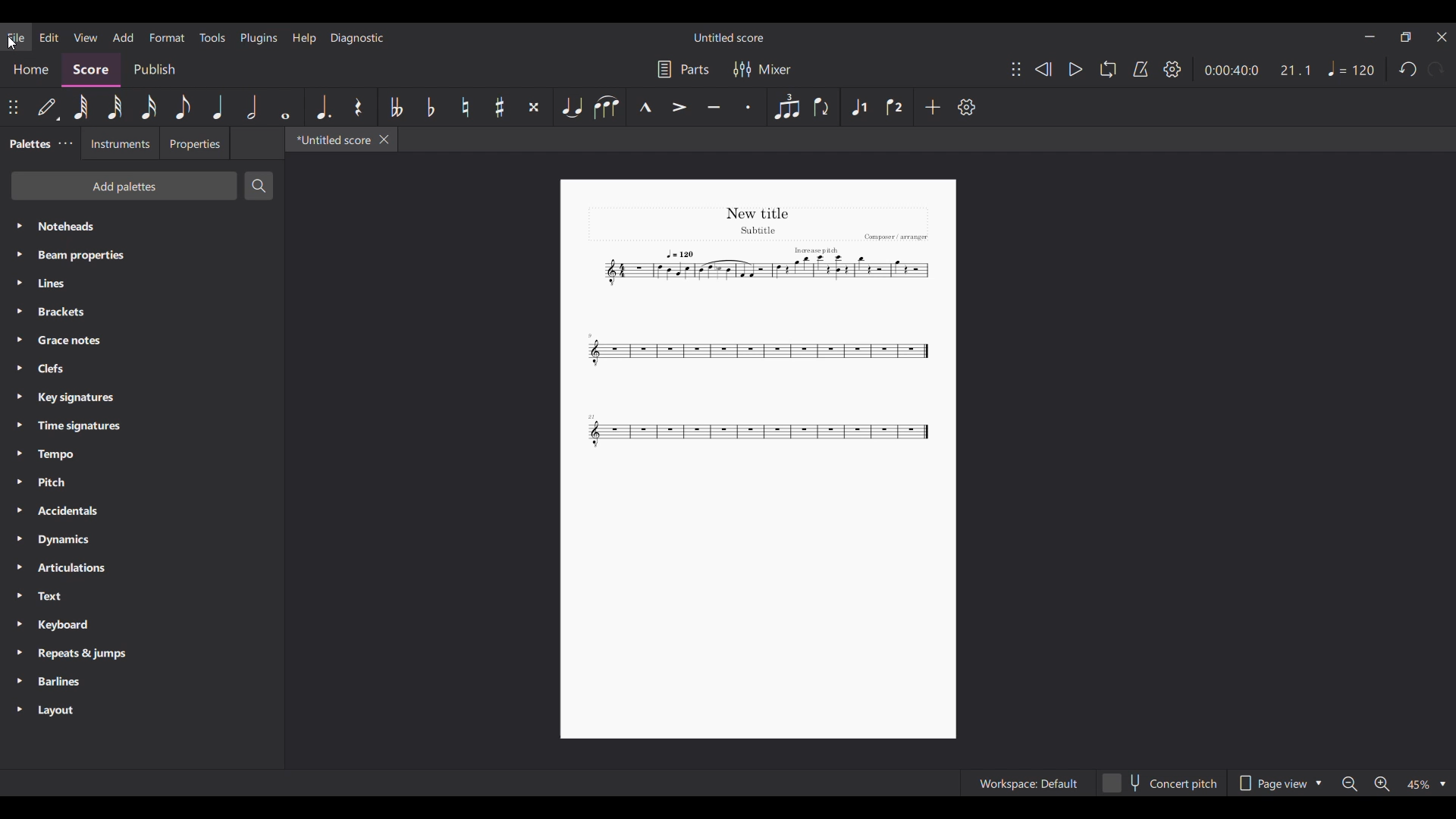 Image resolution: width=1456 pixels, height=819 pixels. Describe the element at coordinates (1349, 784) in the screenshot. I see `Zoom out` at that location.